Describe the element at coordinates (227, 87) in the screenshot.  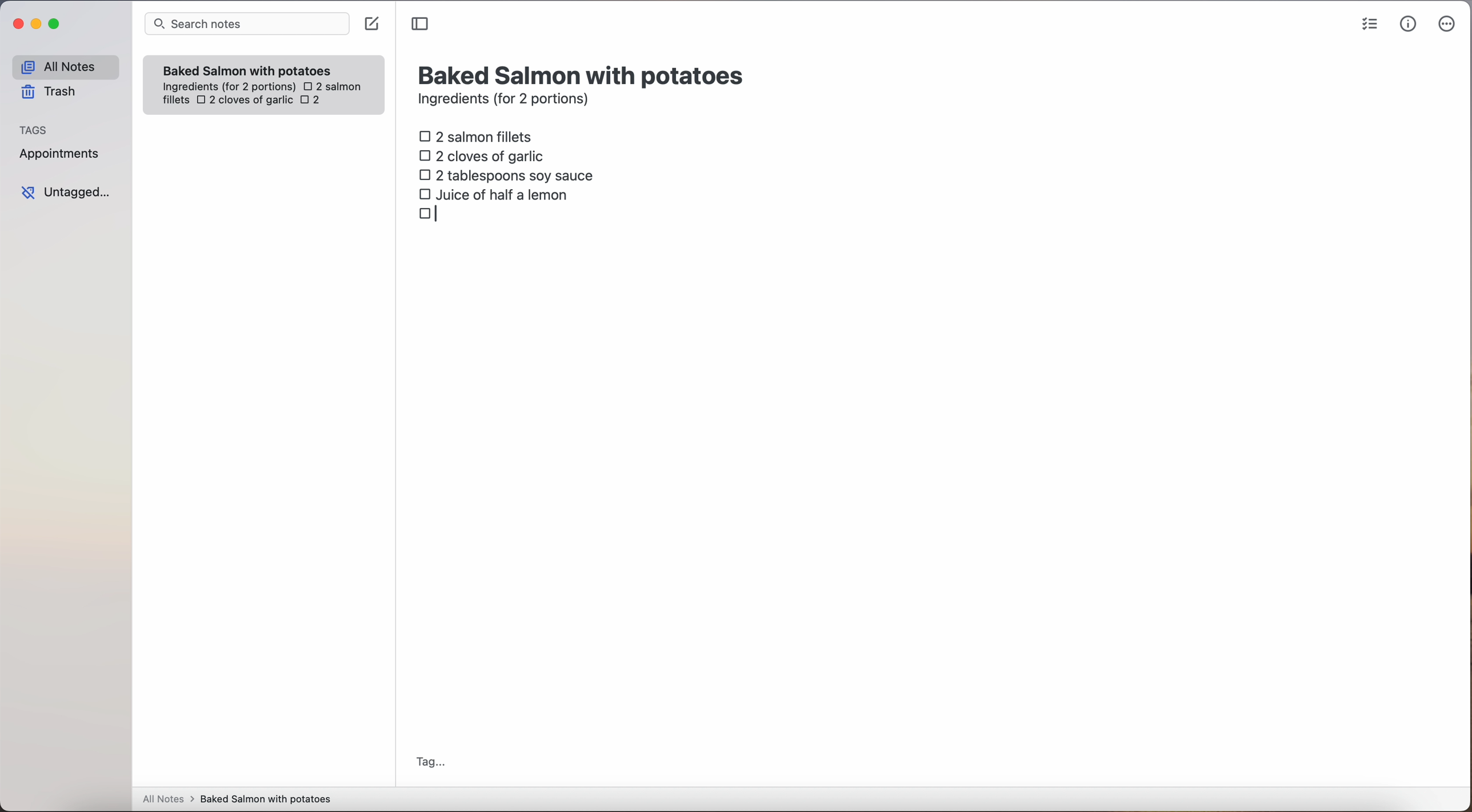
I see `ingredientes (for 2 portions)` at that location.